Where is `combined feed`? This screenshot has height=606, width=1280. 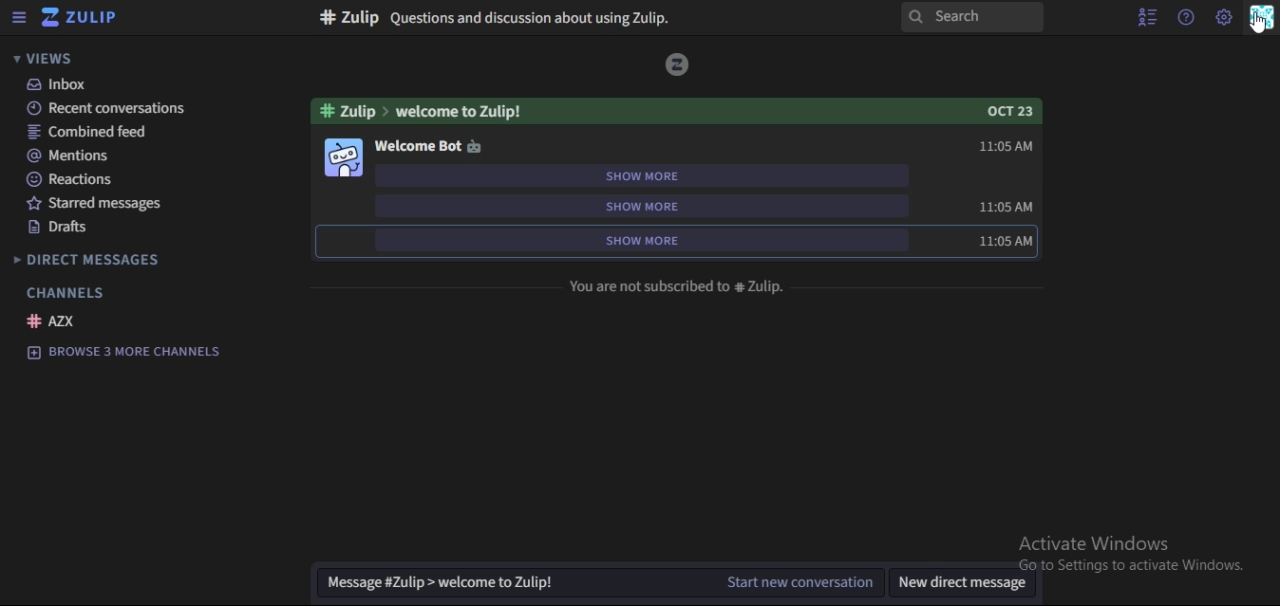
combined feed is located at coordinates (89, 131).